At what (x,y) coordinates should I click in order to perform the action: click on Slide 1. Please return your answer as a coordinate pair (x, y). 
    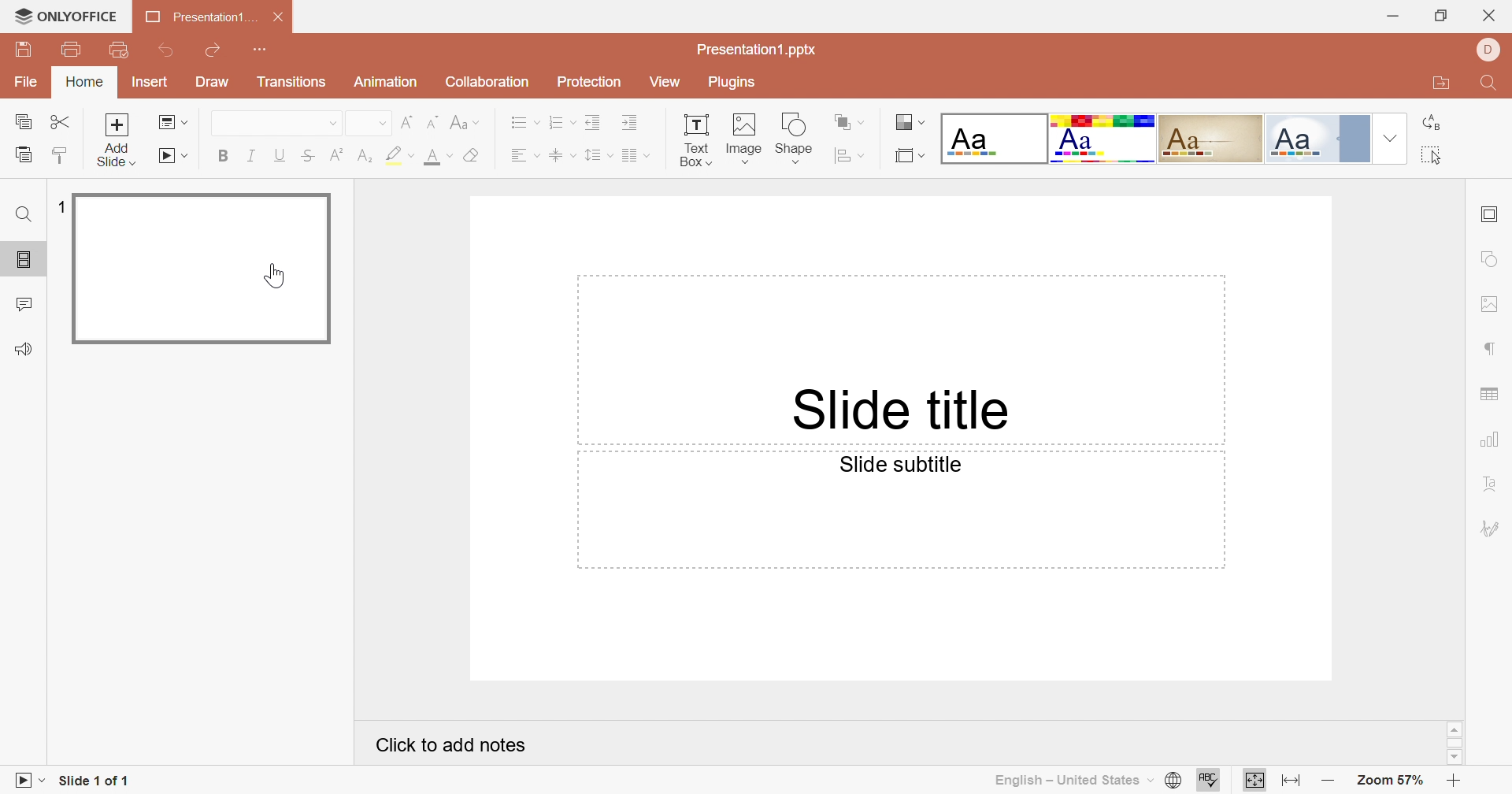
    Looking at the image, I should click on (206, 273).